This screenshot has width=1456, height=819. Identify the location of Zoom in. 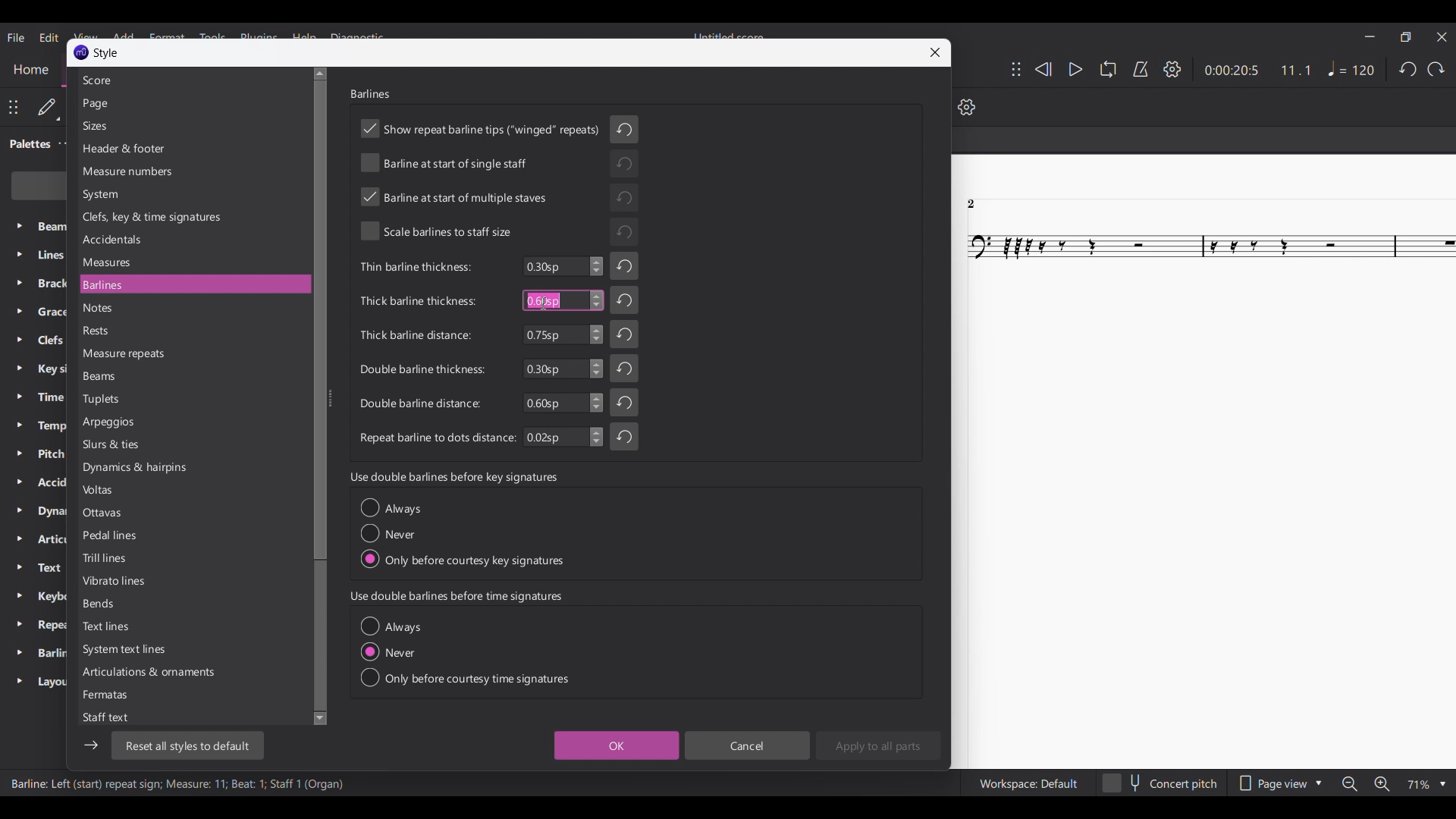
(1382, 783).